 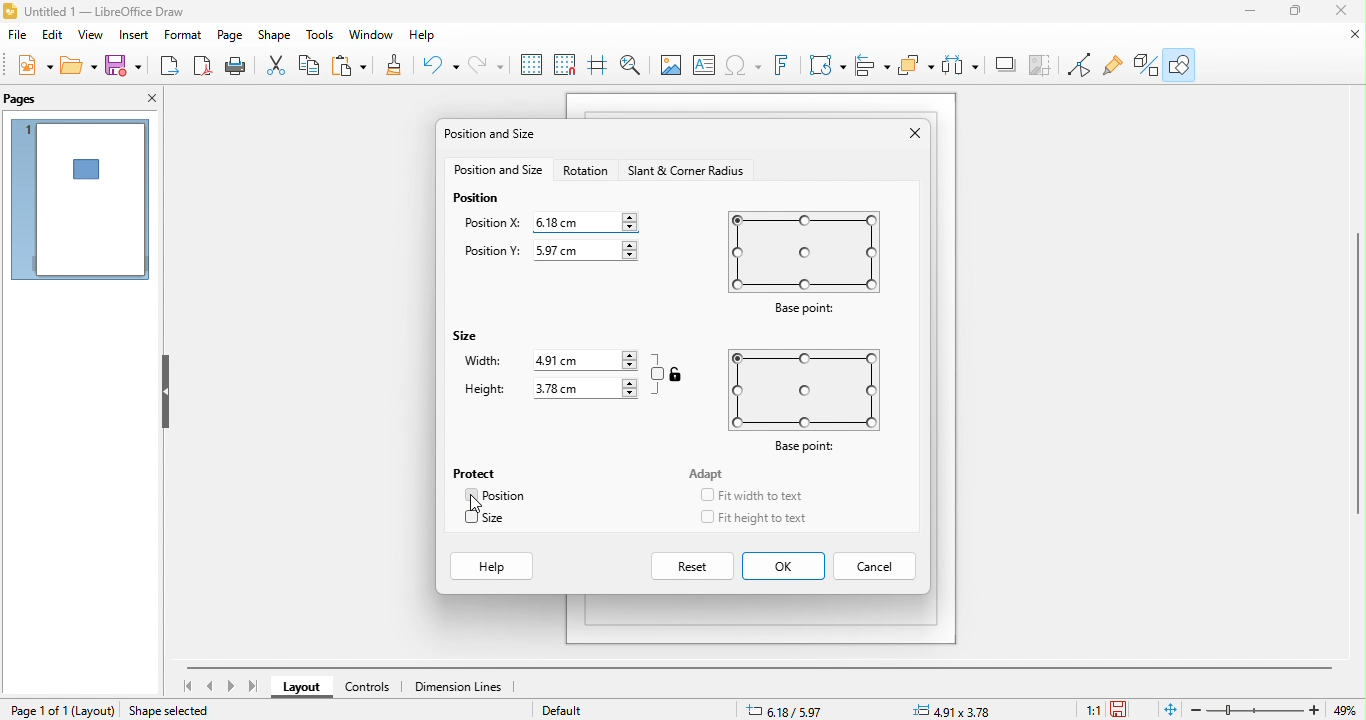 I want to click on open, so click(x=79, y=64).